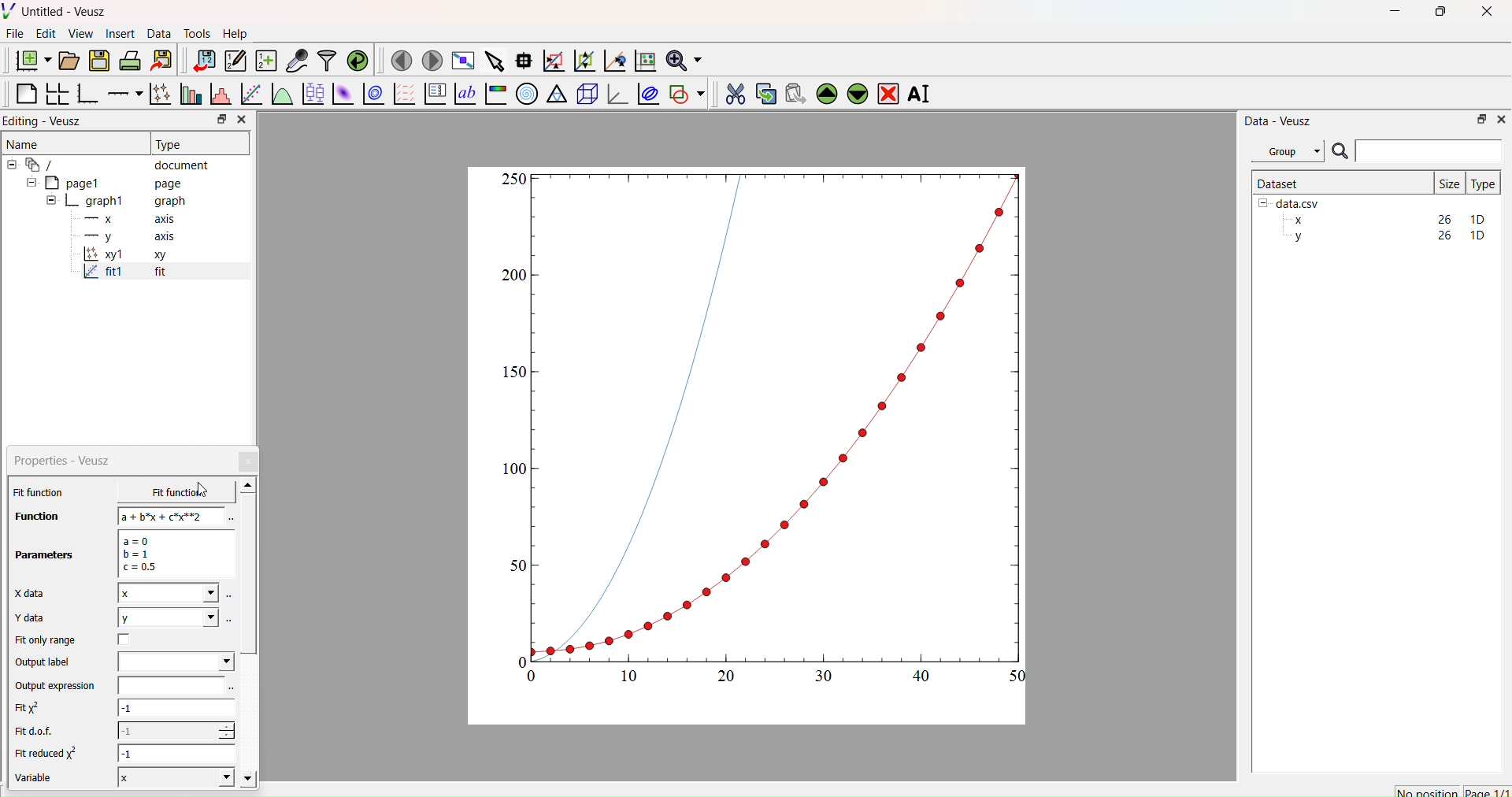 The height and width of the screenshot is (797, 1512). Describe the element at coordinates (1278, 120) in the screenshot. I see `Data - Veusz` at that location.